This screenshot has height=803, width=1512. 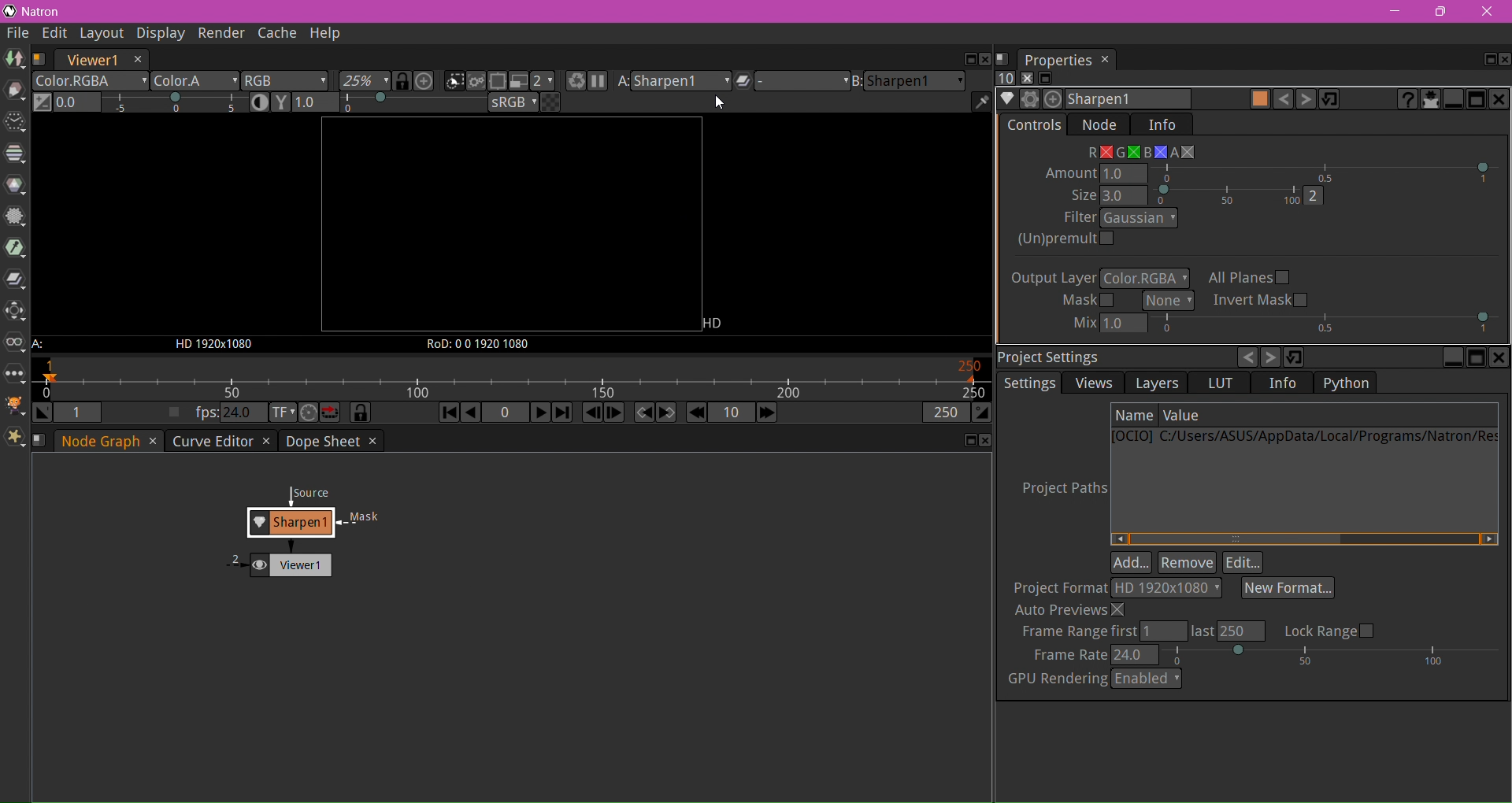 I want to click on File, so click(x=18, y=34).